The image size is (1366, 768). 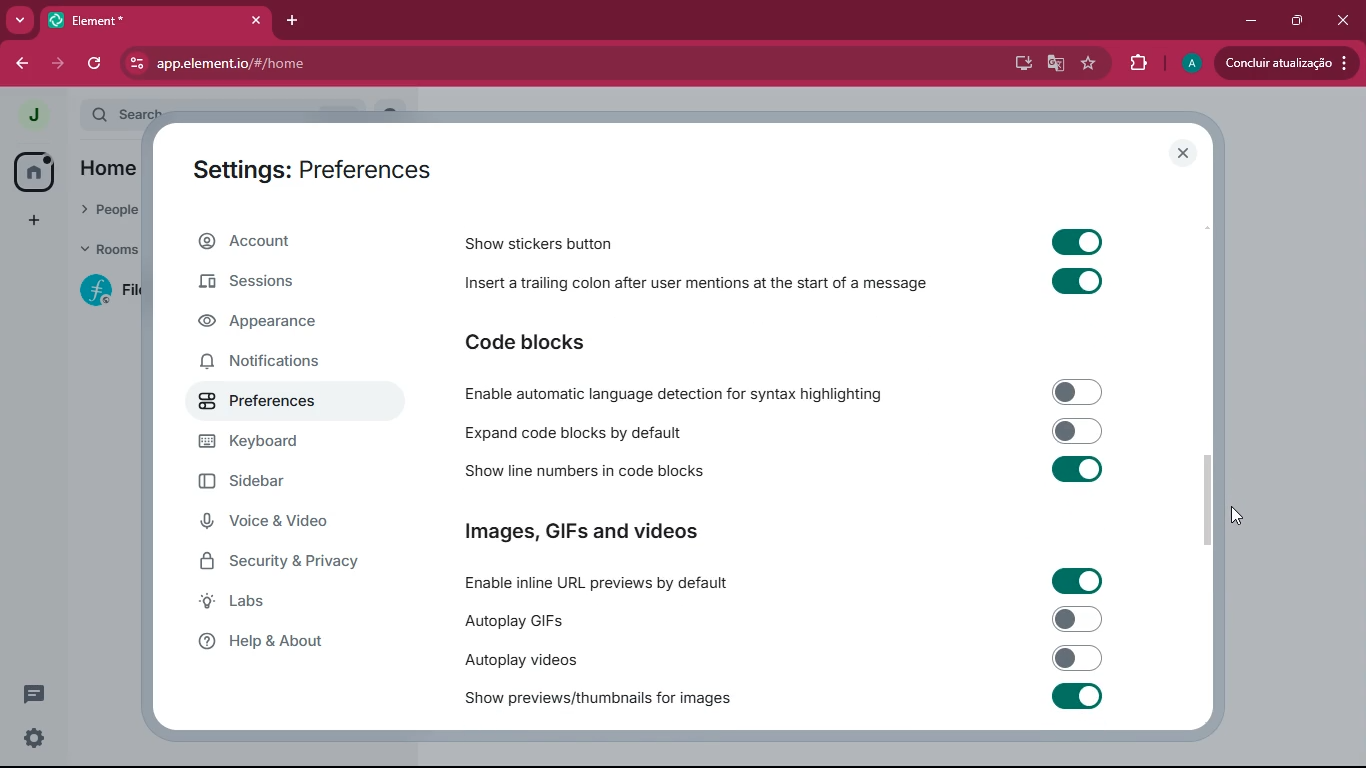 I want to click on autoplay gifs, so click(x=511, y=620).